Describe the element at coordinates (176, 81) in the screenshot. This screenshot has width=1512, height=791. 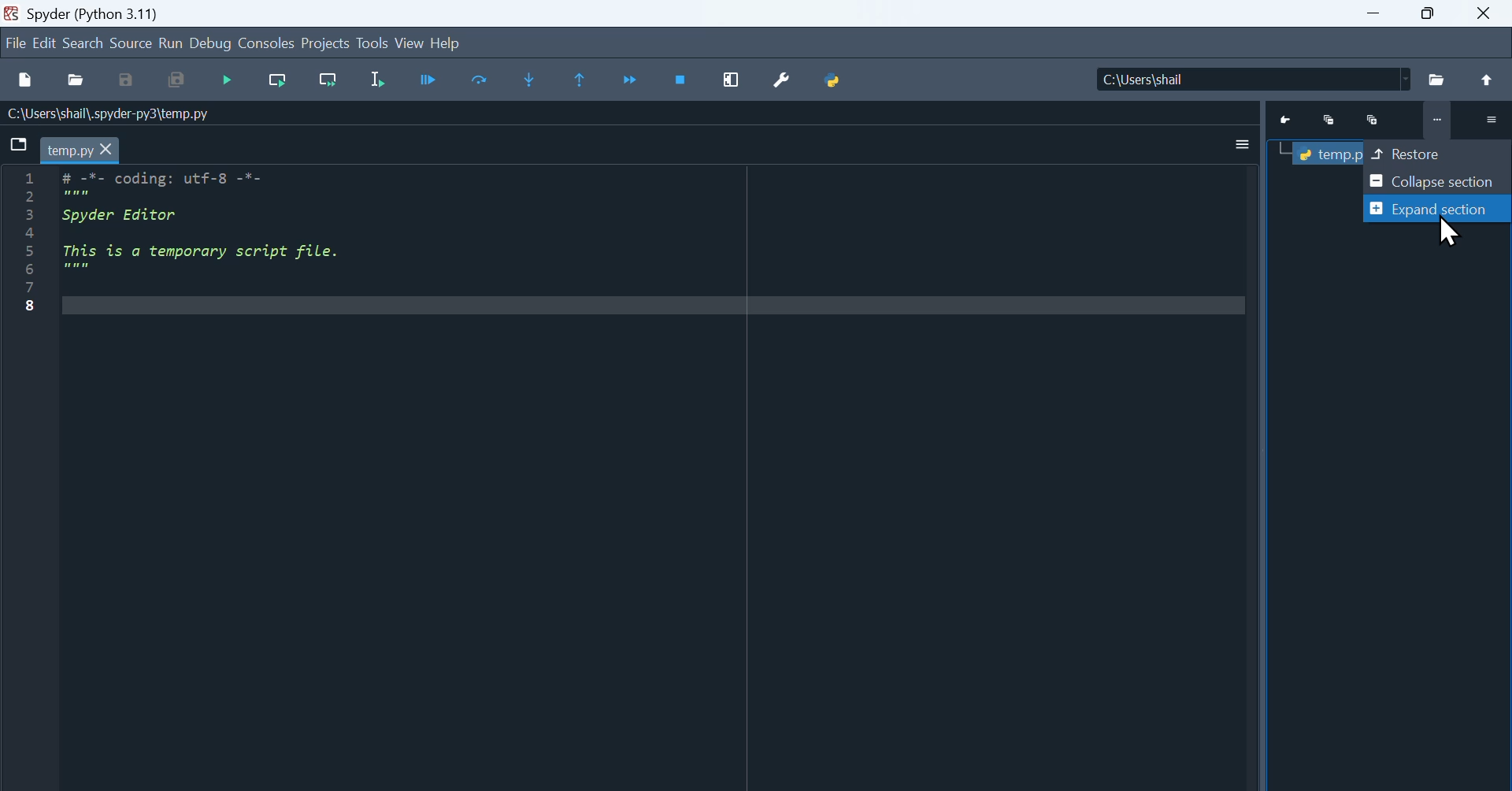
I see `Save all` at that location.